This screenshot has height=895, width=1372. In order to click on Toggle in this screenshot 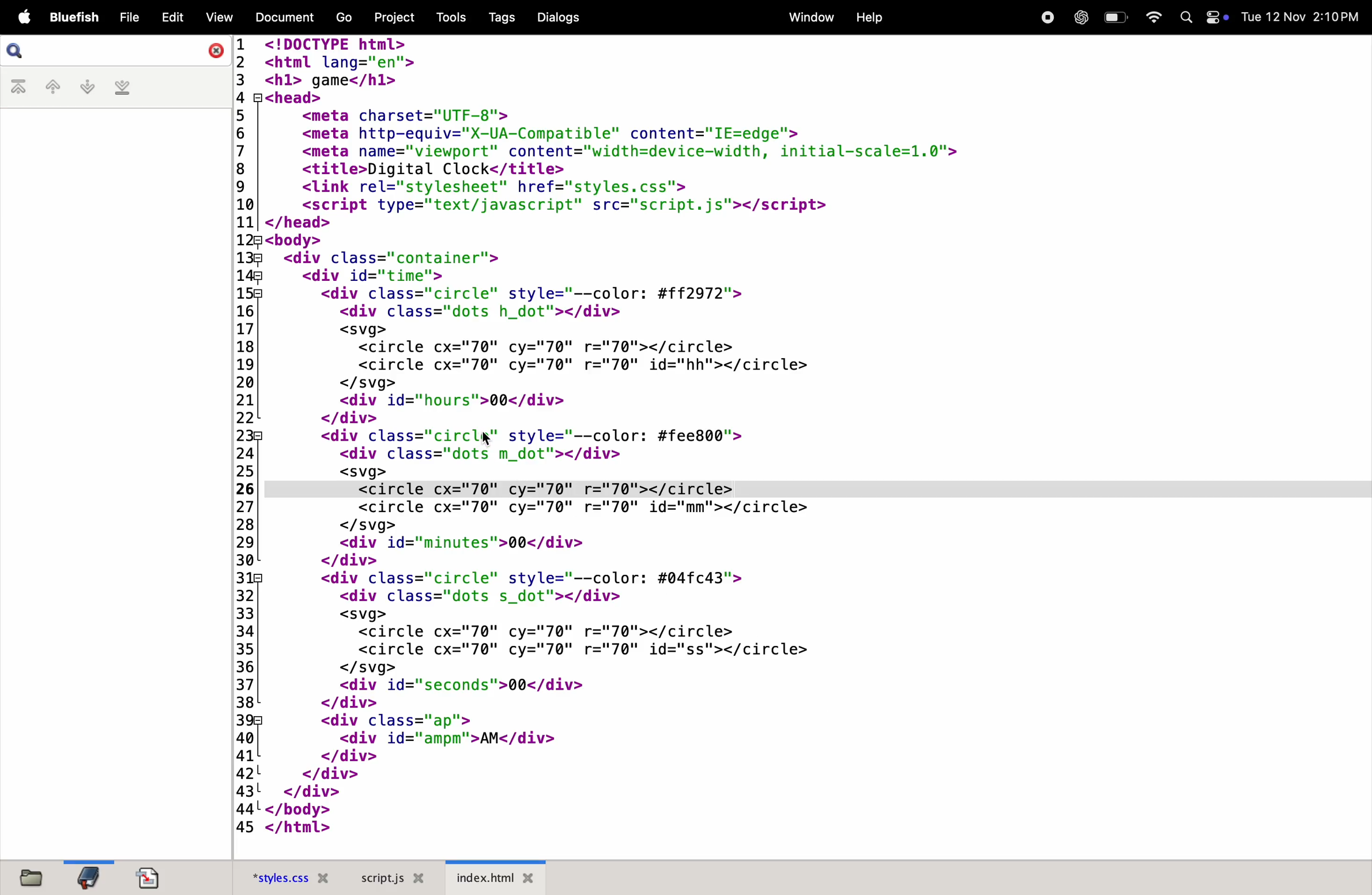, I will do `click(1216, 17)`.